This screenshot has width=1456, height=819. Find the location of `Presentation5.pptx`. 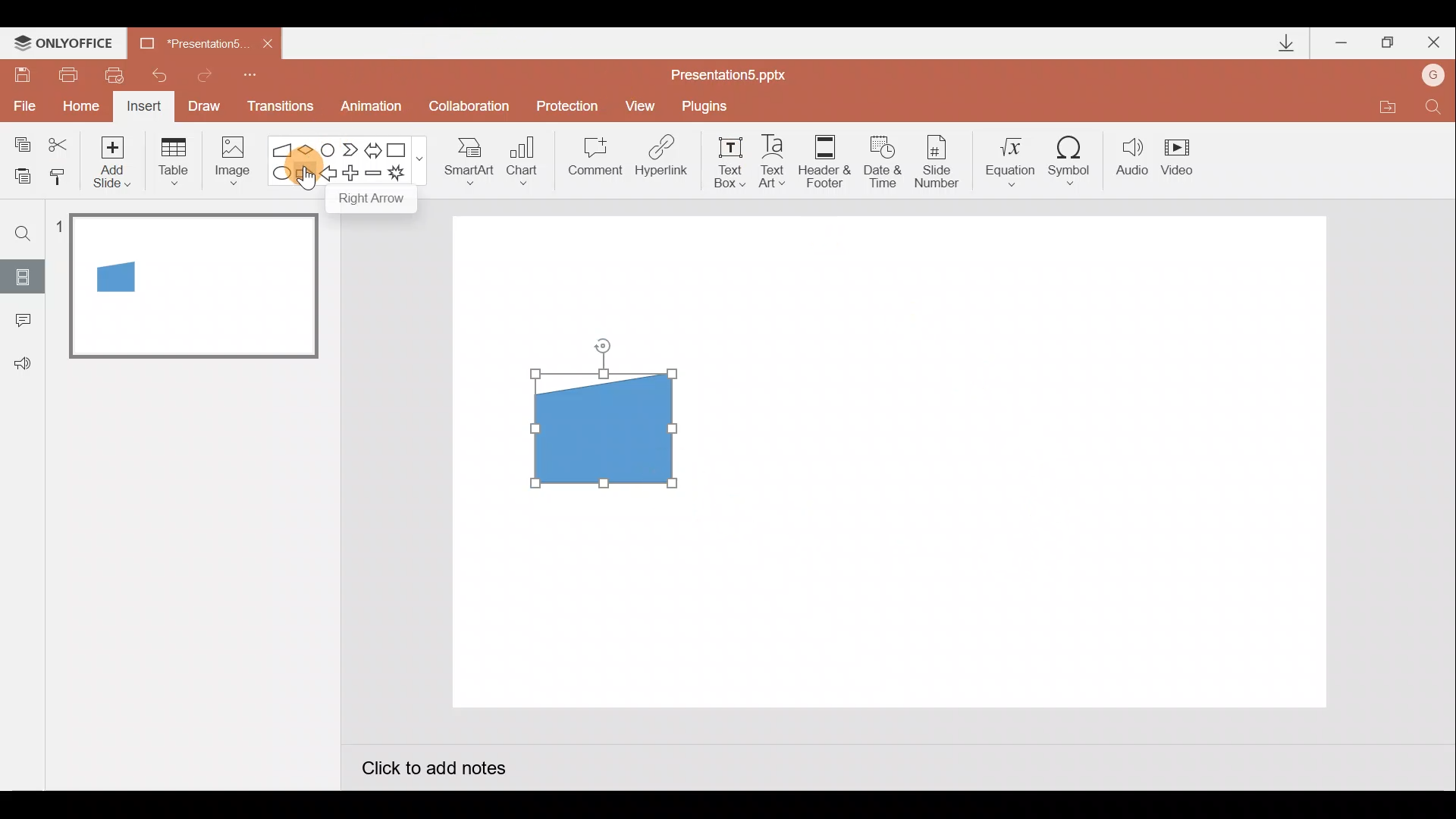

Presentation5.pptx is located at coordinates (739, 71).